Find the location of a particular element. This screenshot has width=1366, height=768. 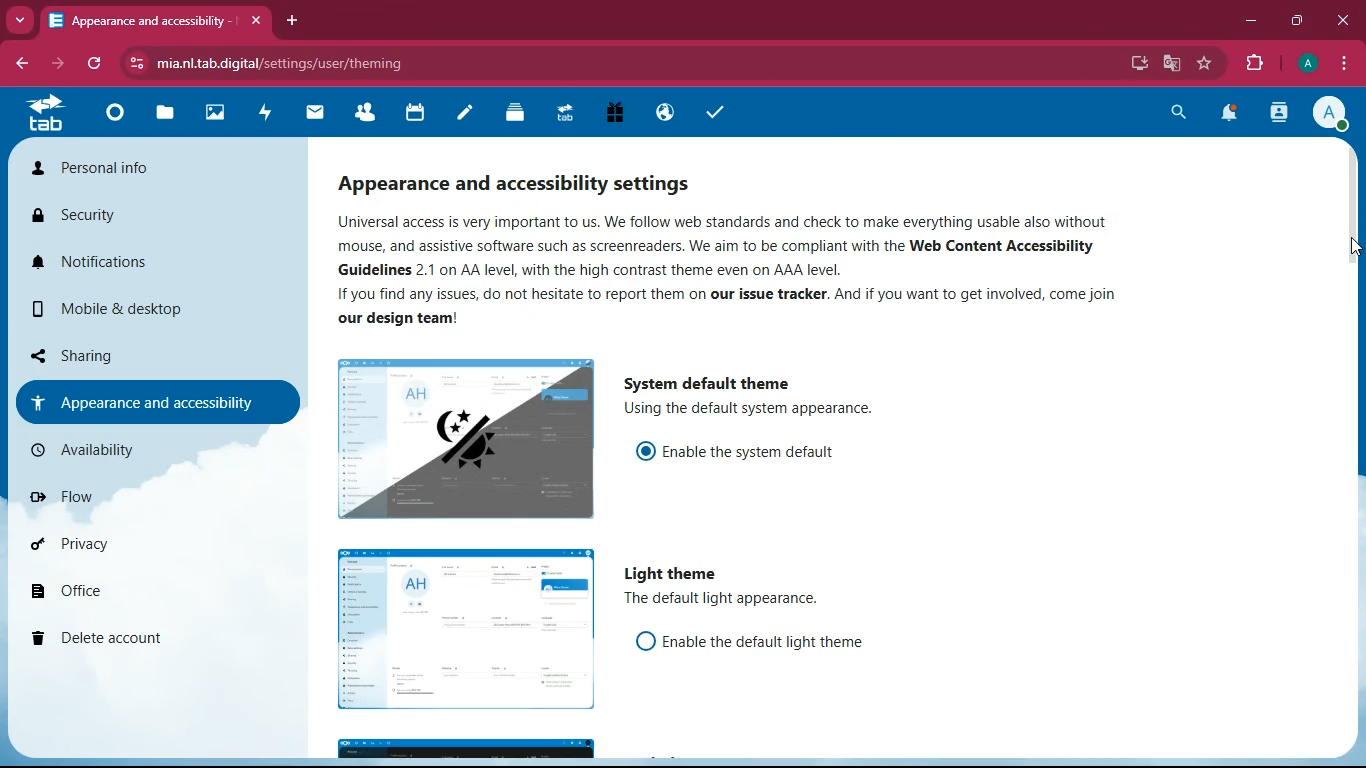

files is located at coordinates (167, 116).